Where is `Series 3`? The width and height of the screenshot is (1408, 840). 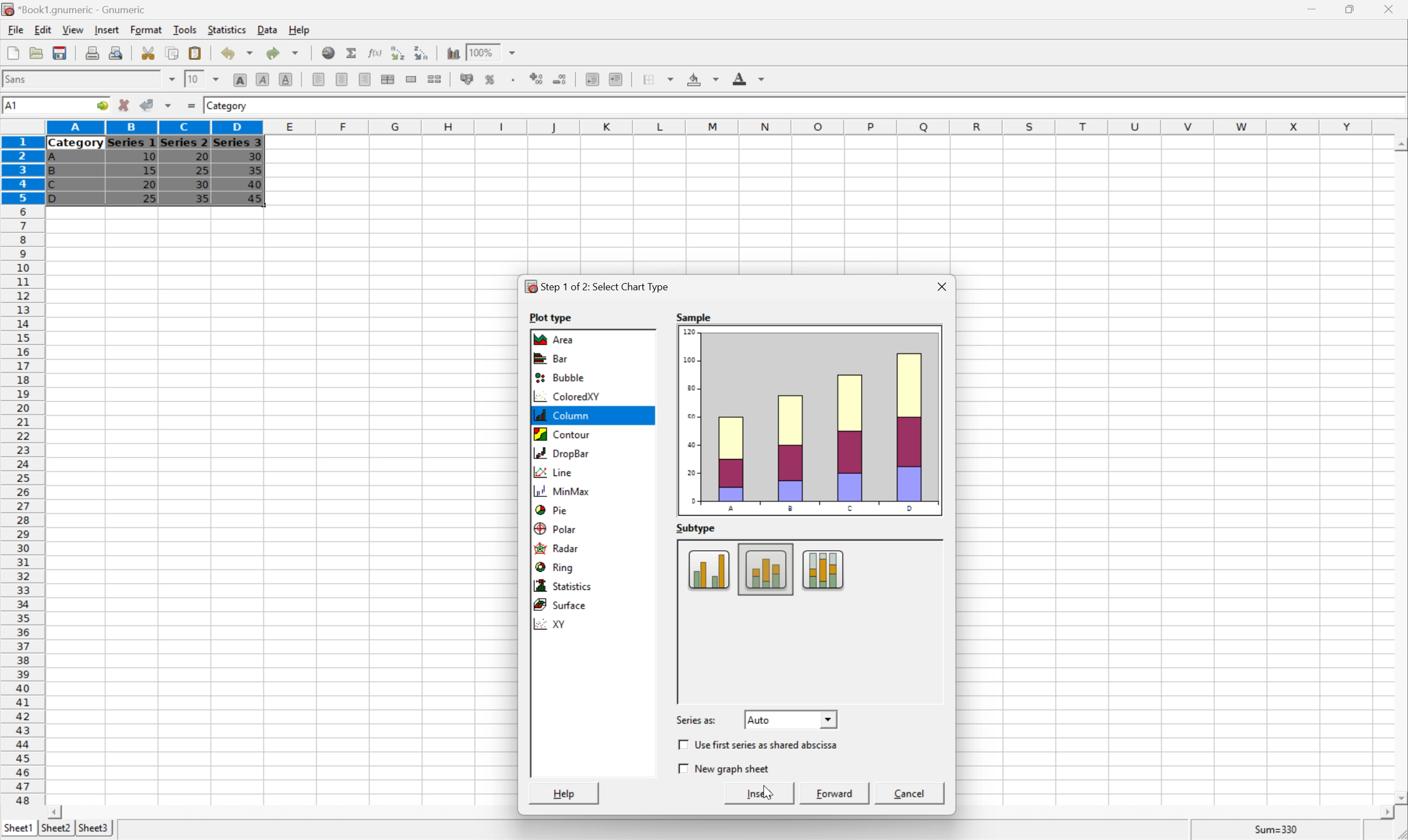 Series 3 is located at coordinates (238, 142).